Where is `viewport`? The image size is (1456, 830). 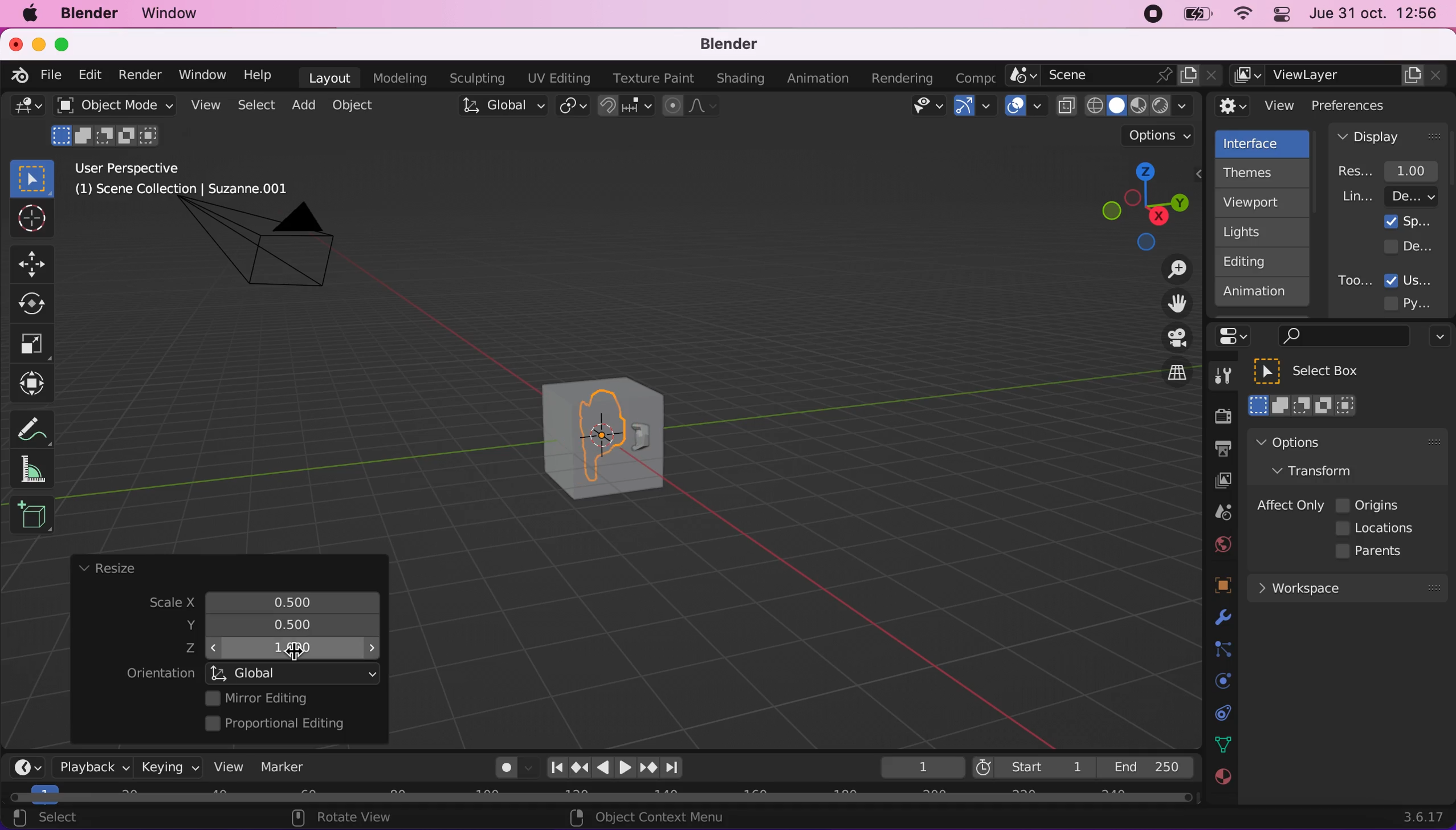
viewport is located at coordinates (1265, 202).